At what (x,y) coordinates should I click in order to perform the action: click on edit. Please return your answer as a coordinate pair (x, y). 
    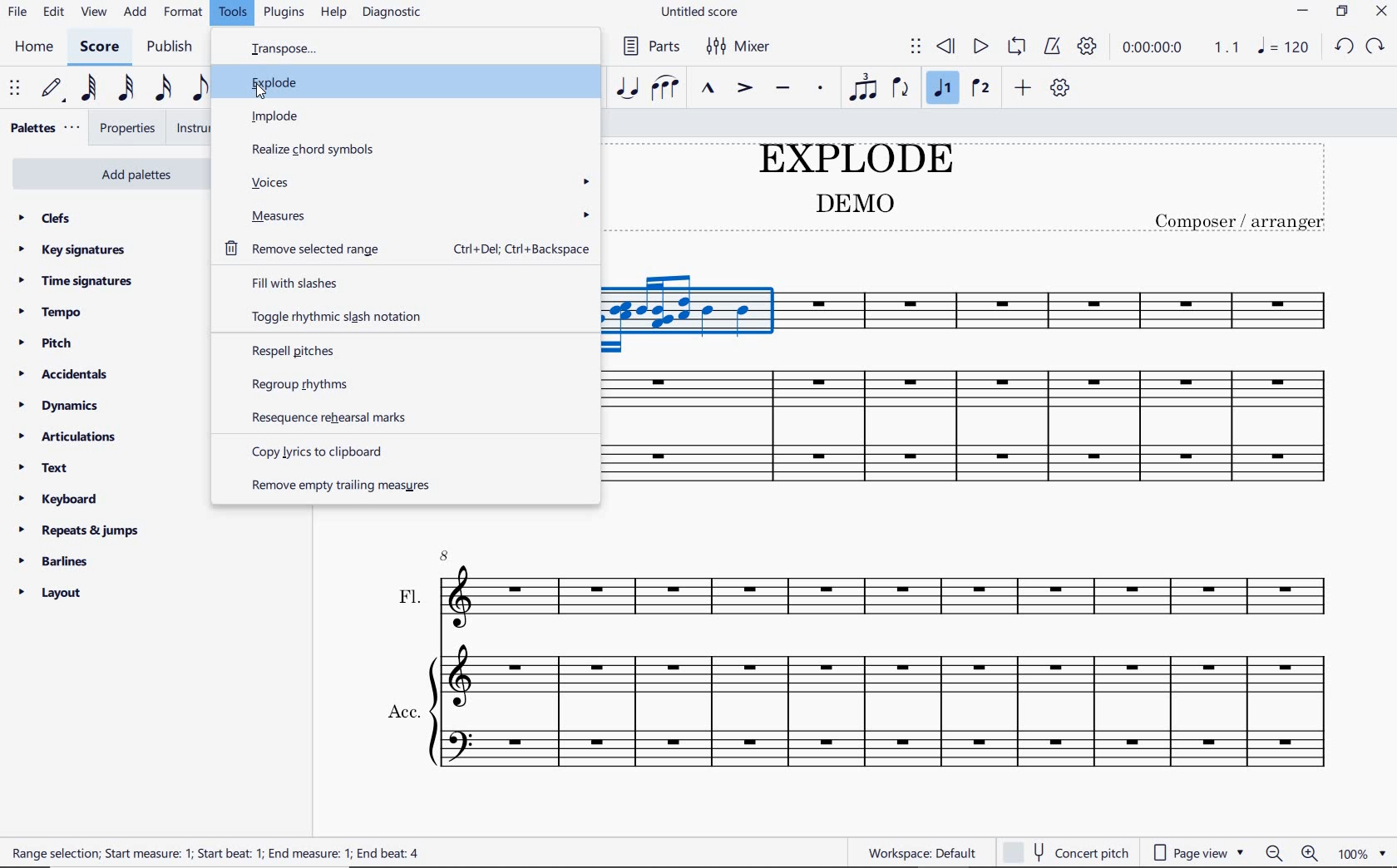
    Looking at the image, I should click on (53, 12).